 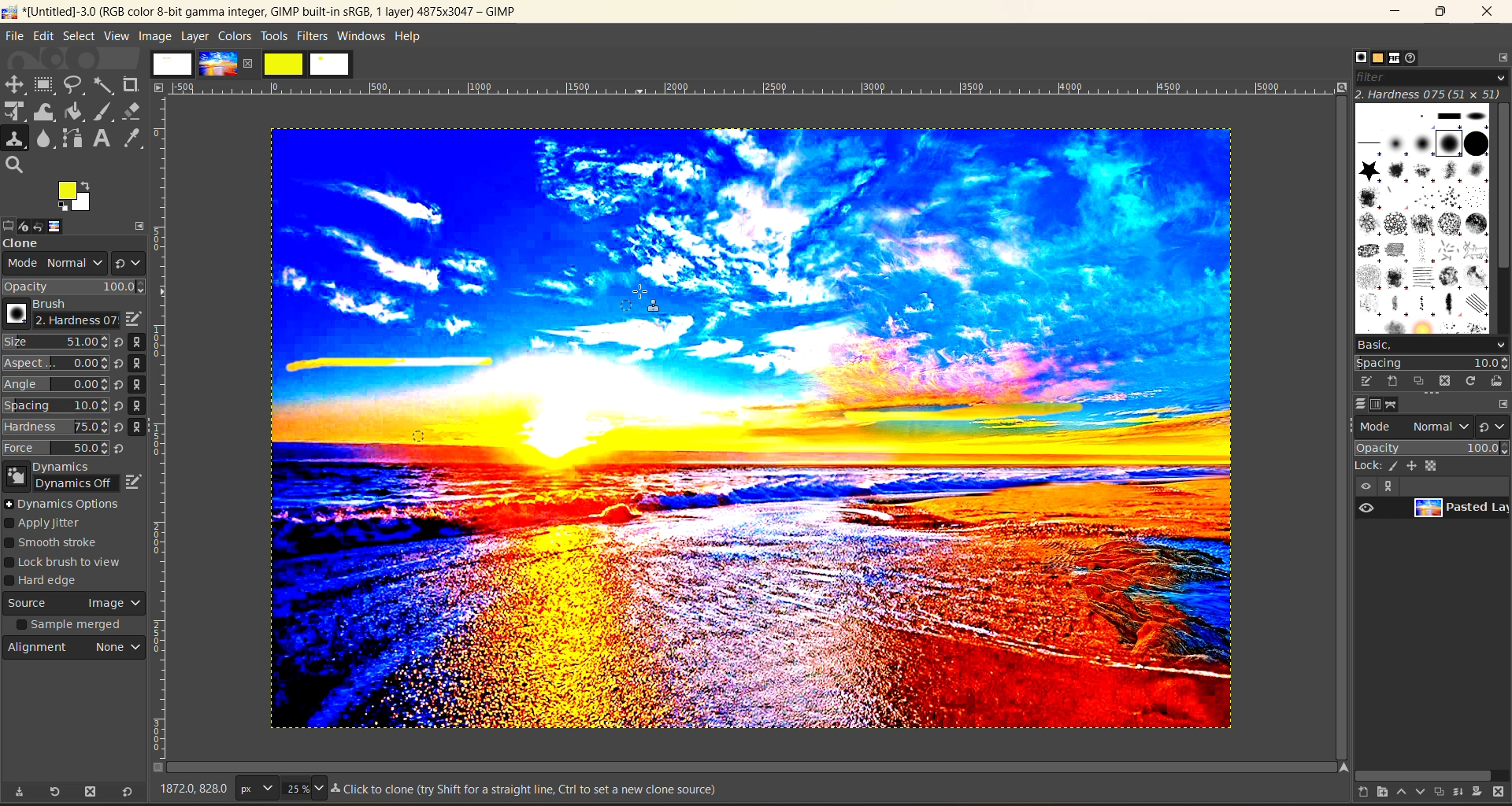 What do you see at coordinates (72, 627) in the screenshot?
I see `sample merged` at bounding box center [72, 627].